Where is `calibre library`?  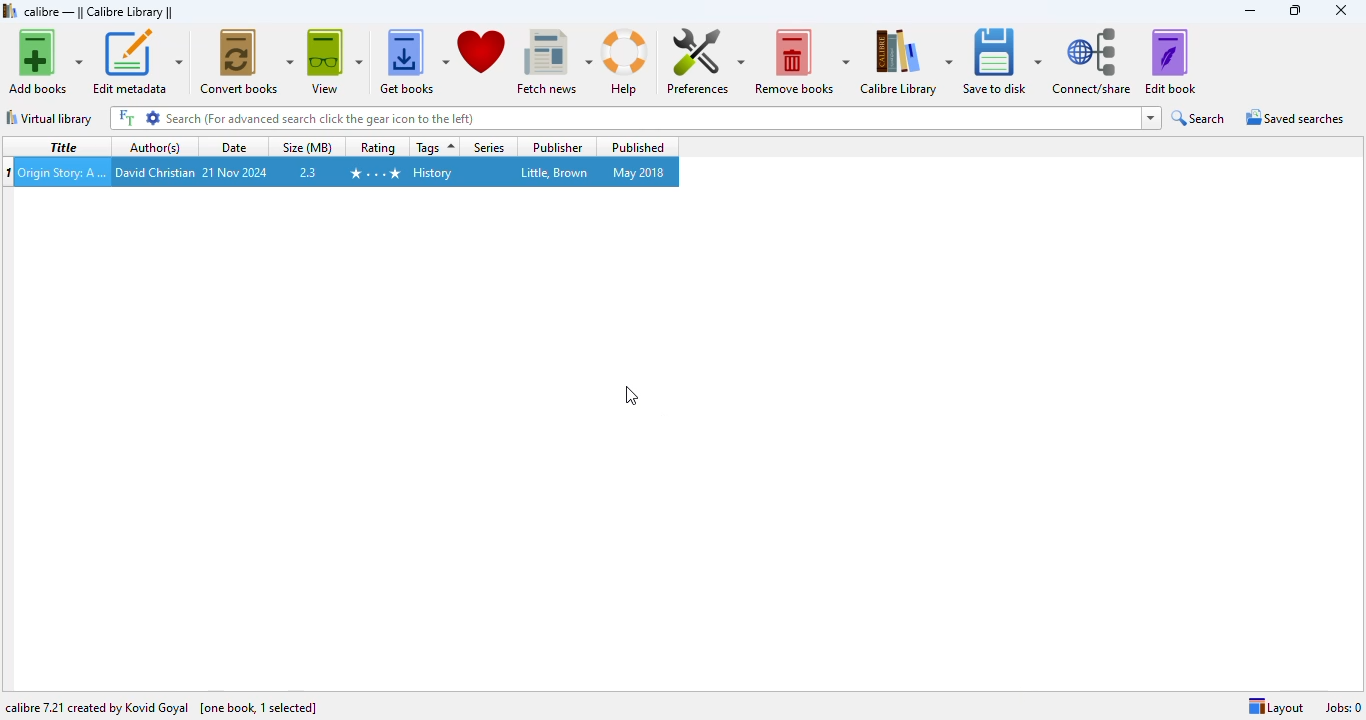 calibre library is located at coordinates (905, 61).